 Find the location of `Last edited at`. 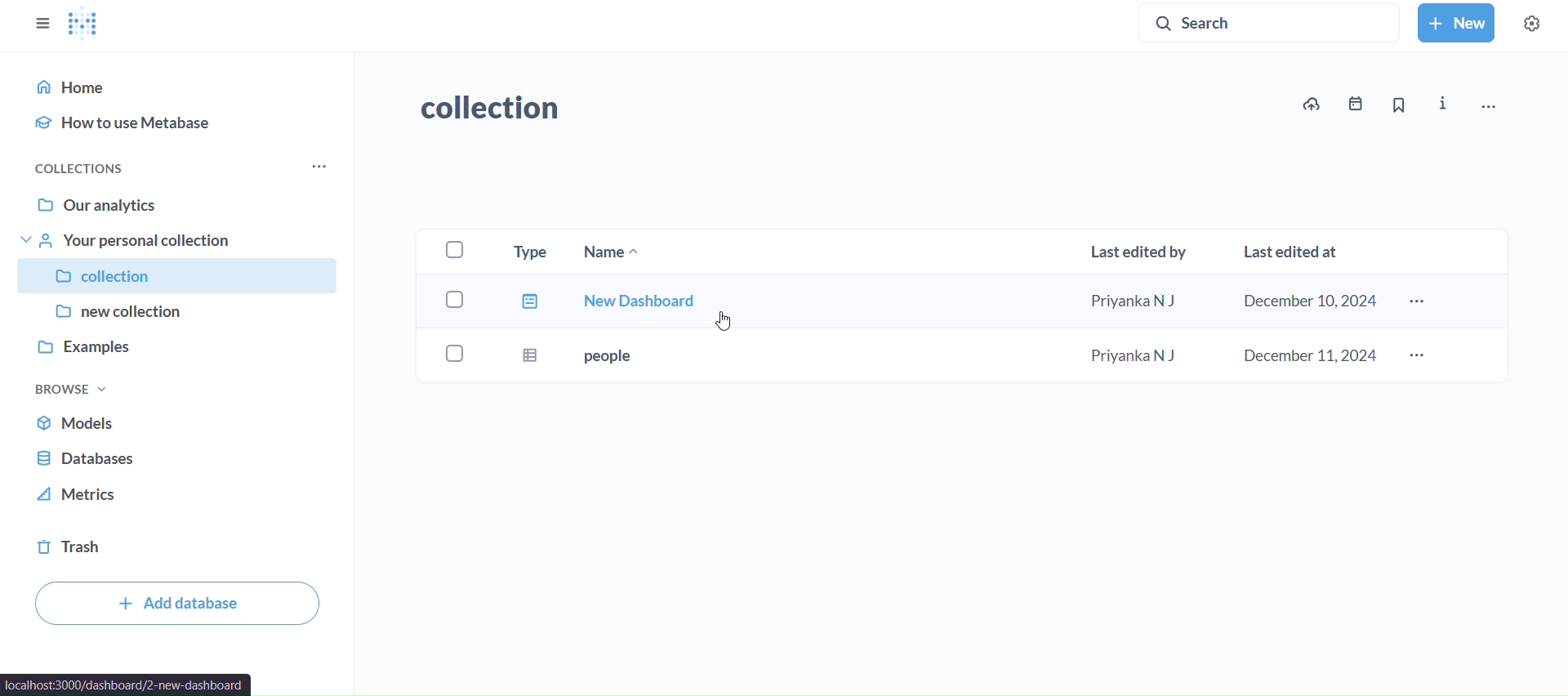

Last edited at is located at coordinates (1294, 253).